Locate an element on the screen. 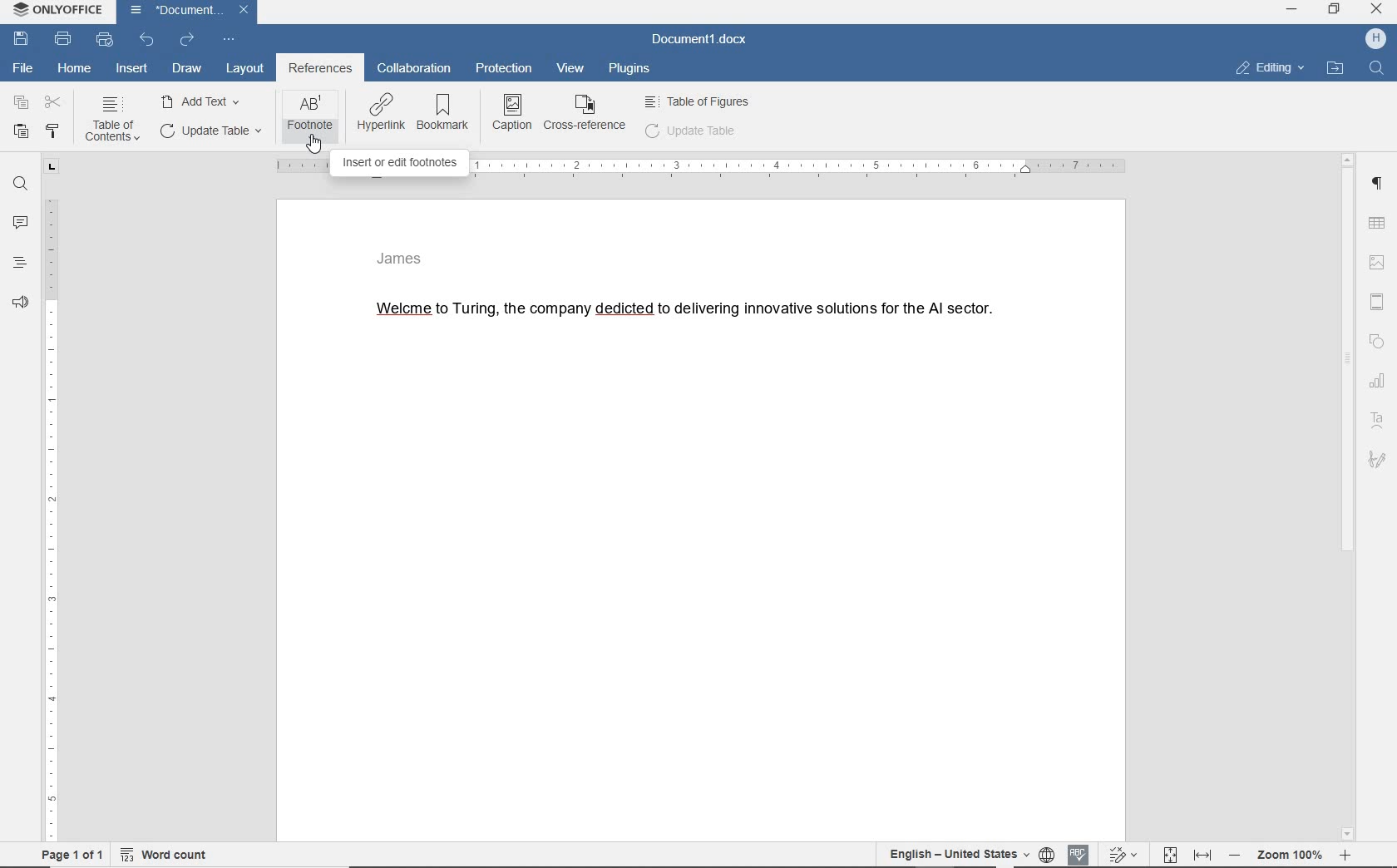  IMAGE is located at coordinates (1380, 262).